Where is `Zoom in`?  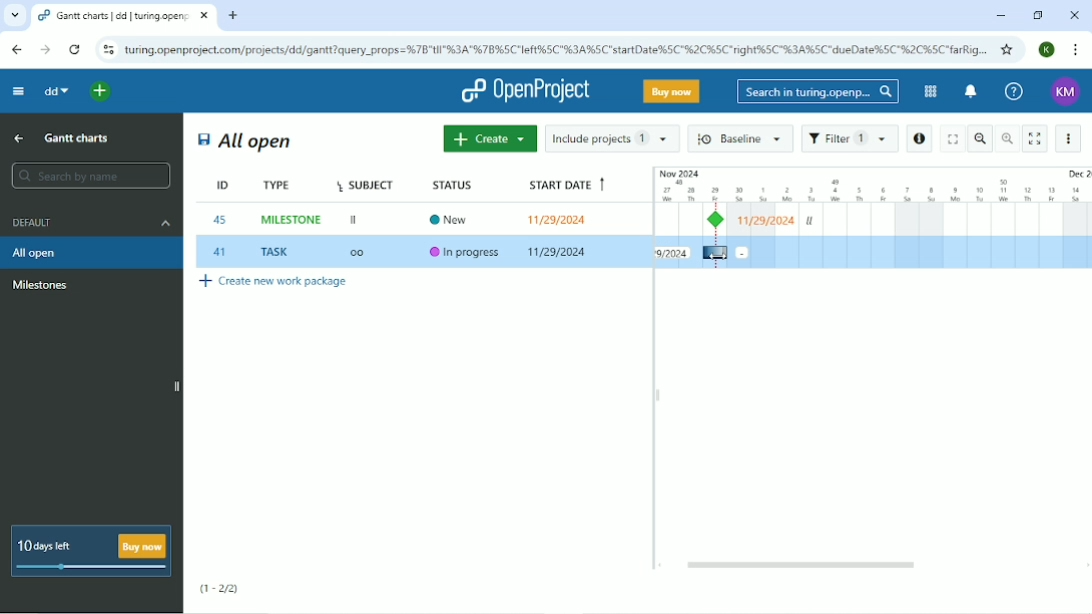 Zoom in is located at coordinates (1007, 138).